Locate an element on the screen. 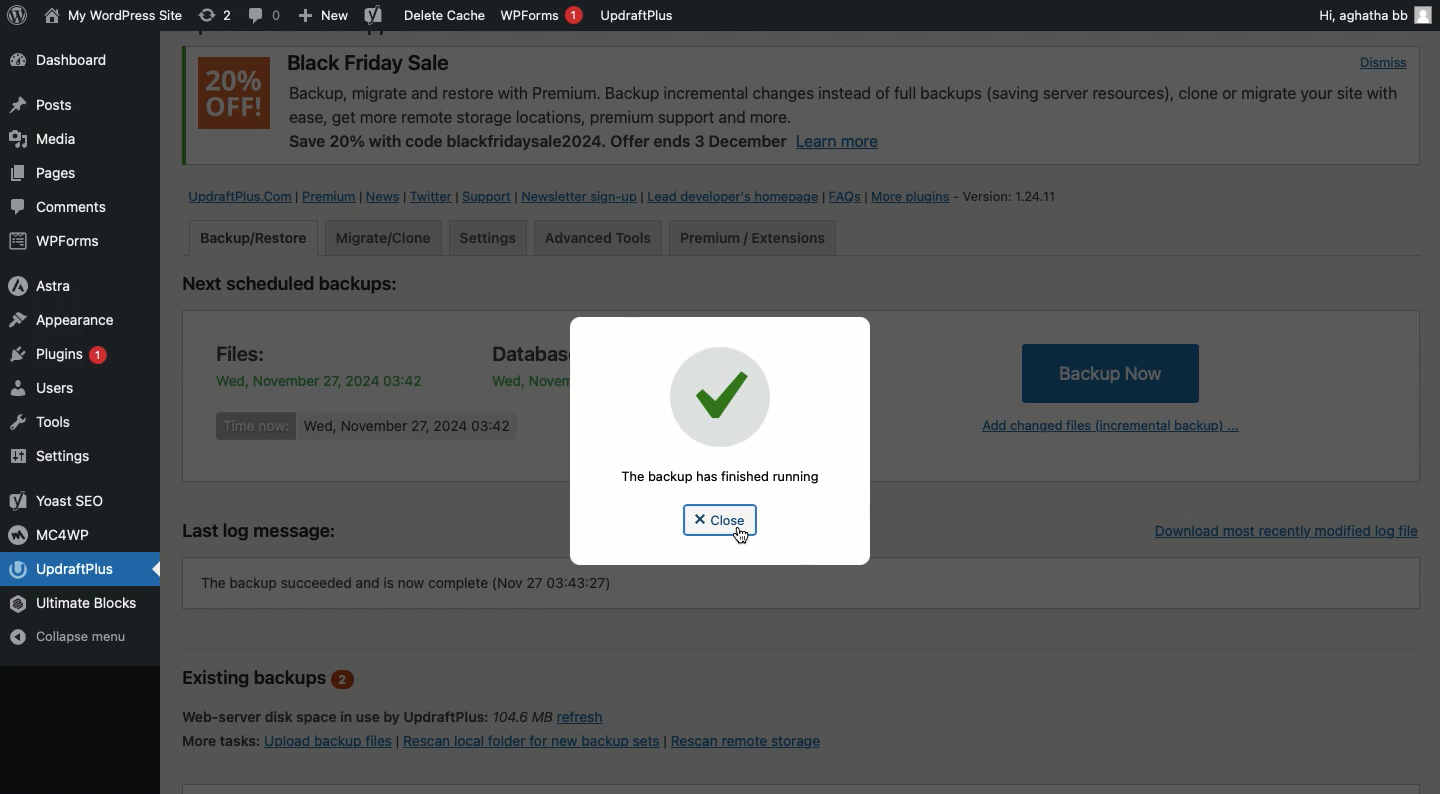  wordpress logo is located at coordinates (17, 15).